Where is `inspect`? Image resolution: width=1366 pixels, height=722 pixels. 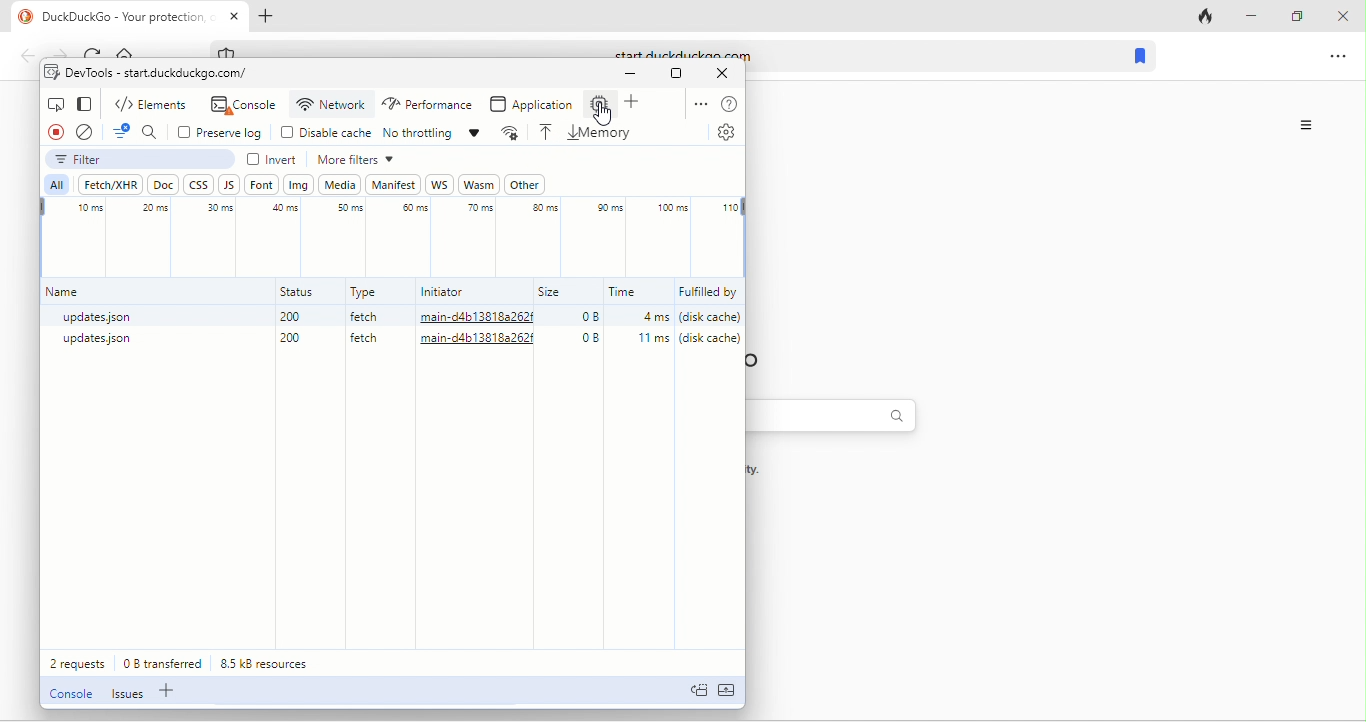
inspect is located at coordinates (61, 105).